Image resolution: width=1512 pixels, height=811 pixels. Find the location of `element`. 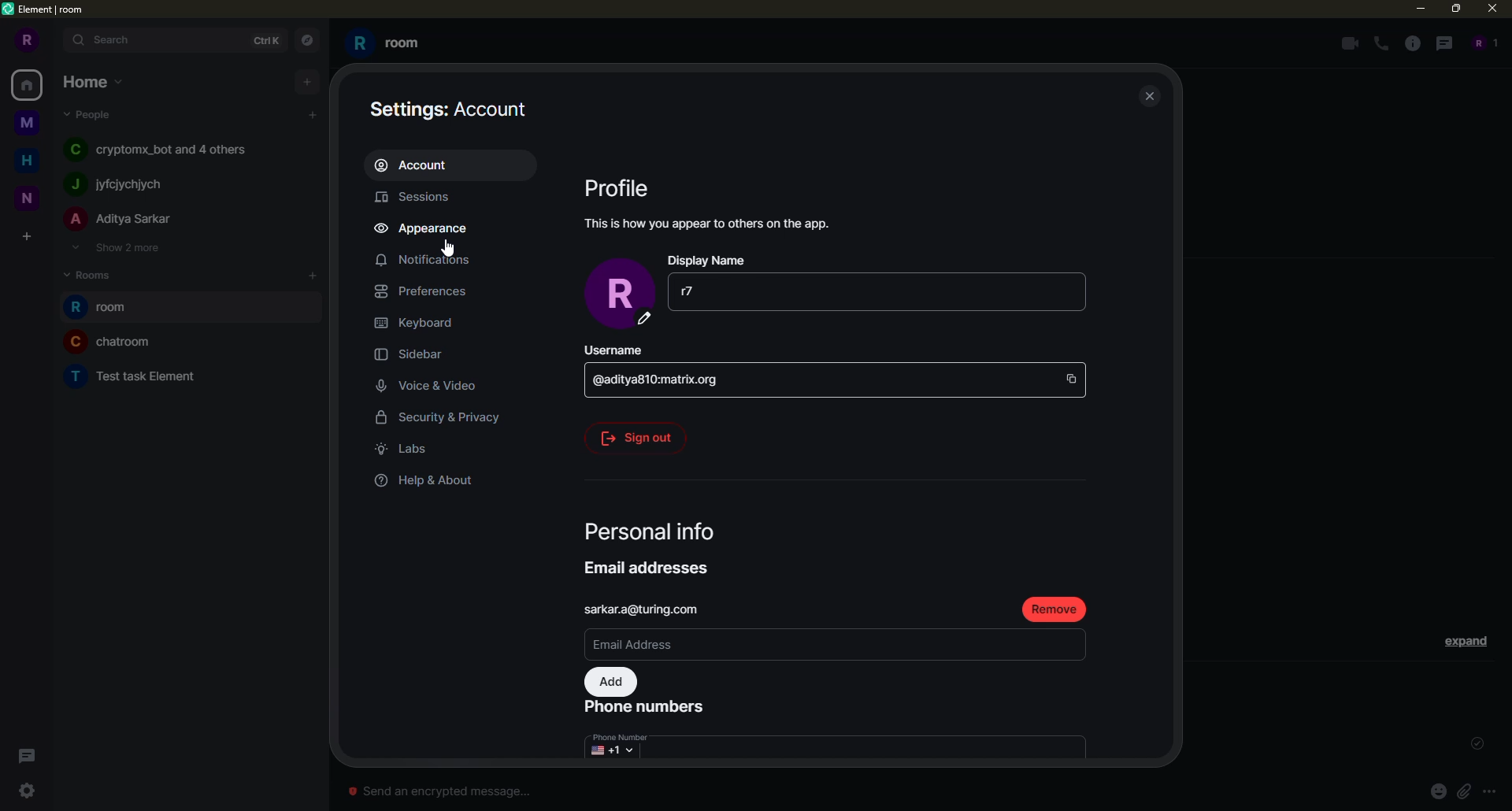

element is located at coordinates (46, 10).